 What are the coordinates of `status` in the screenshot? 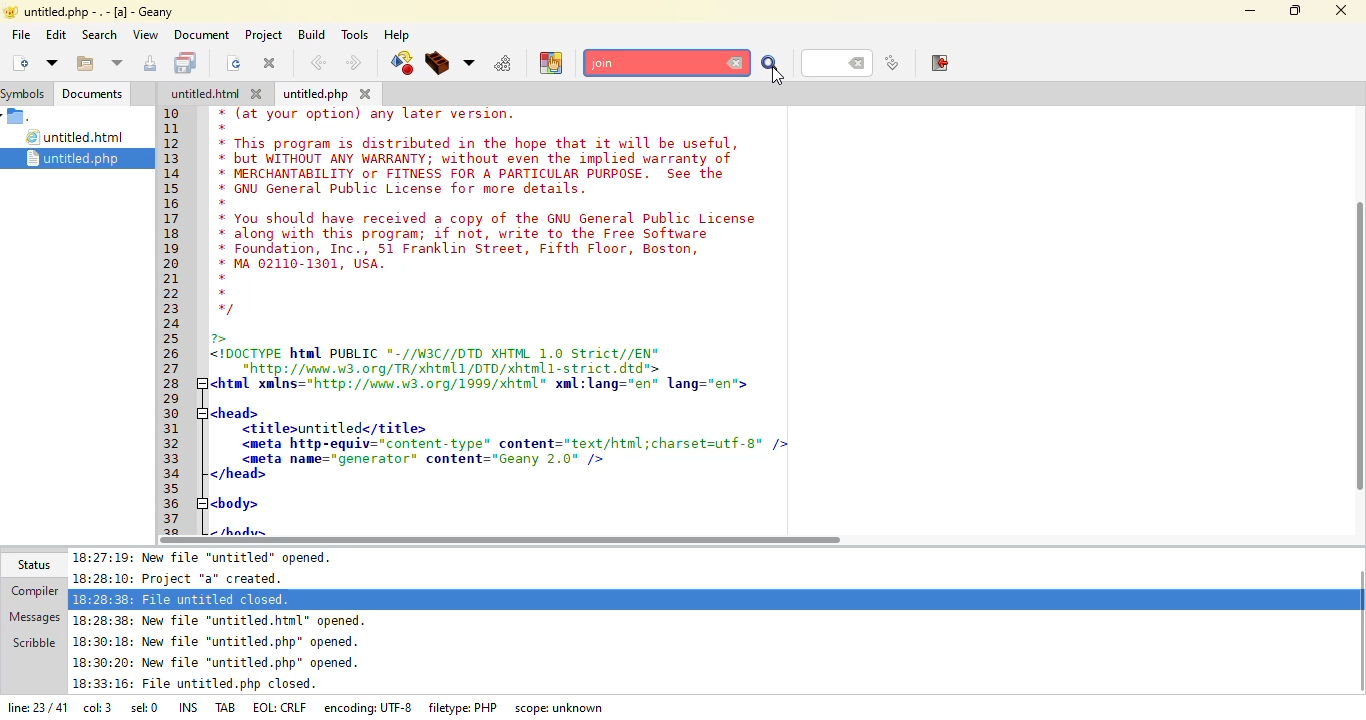 It's located at (32, 564).